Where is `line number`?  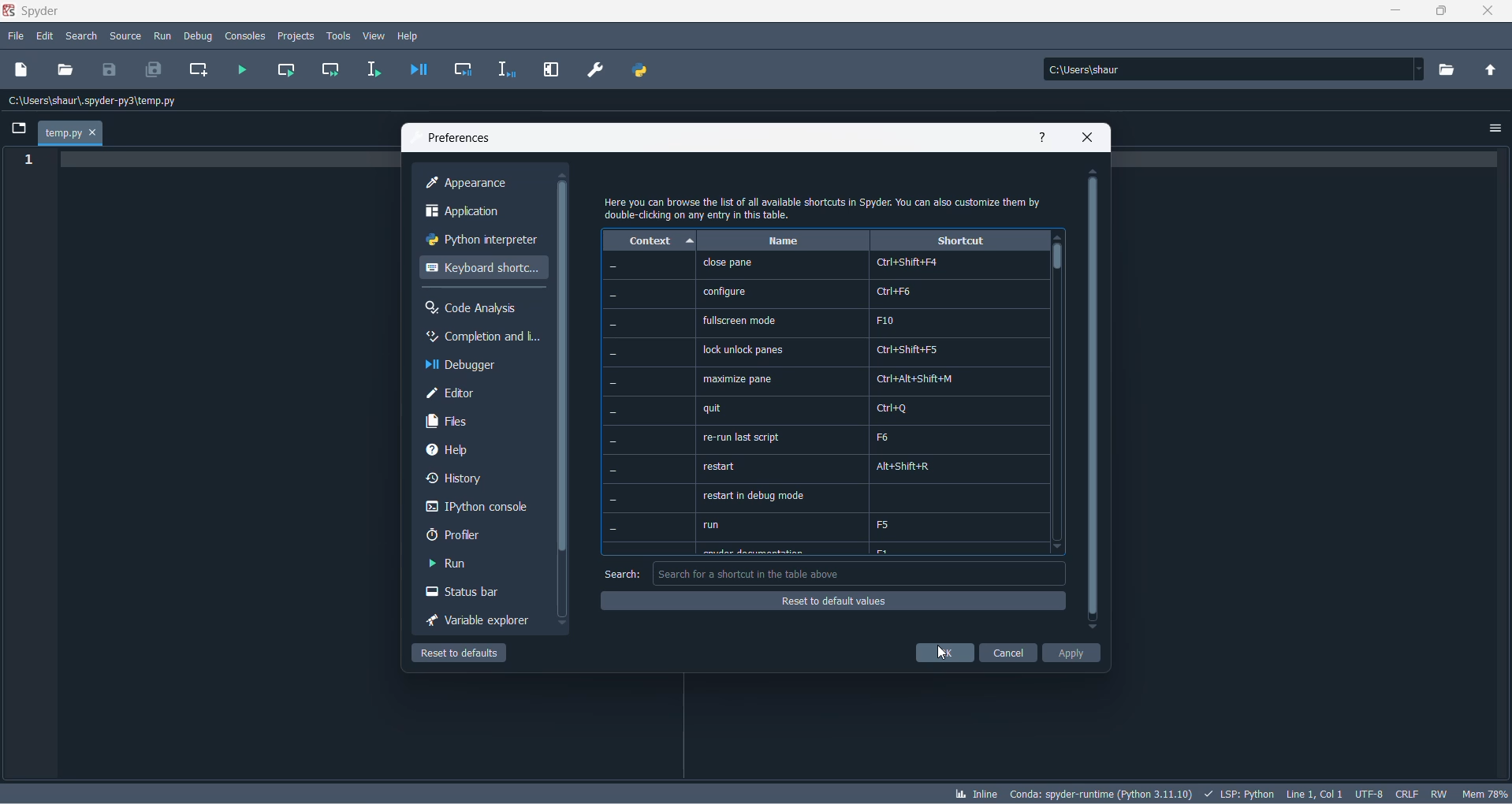 line number is located at coordinates (32, 161).